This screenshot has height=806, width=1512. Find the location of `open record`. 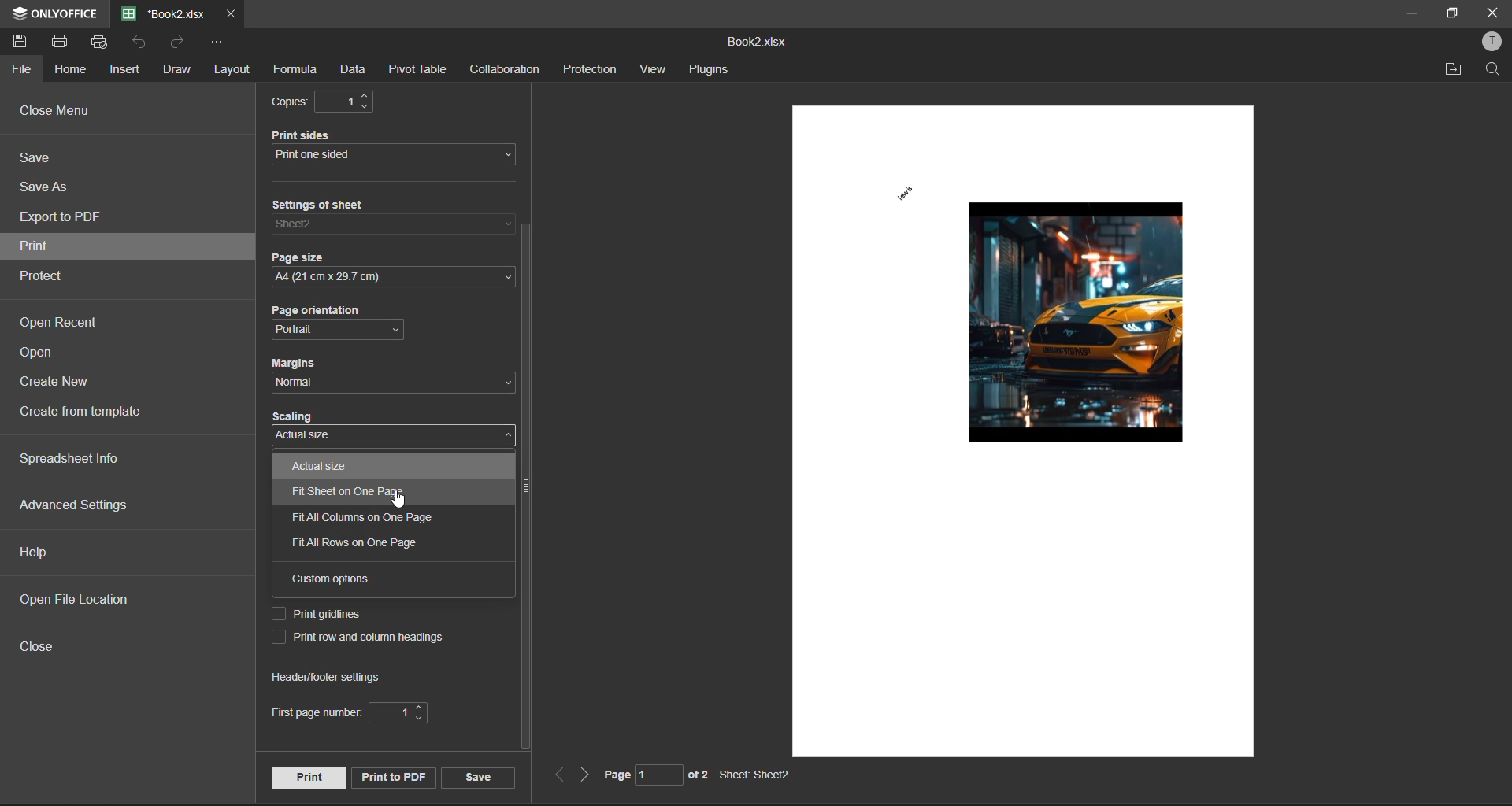

open record is located at coordinates (61, 323).